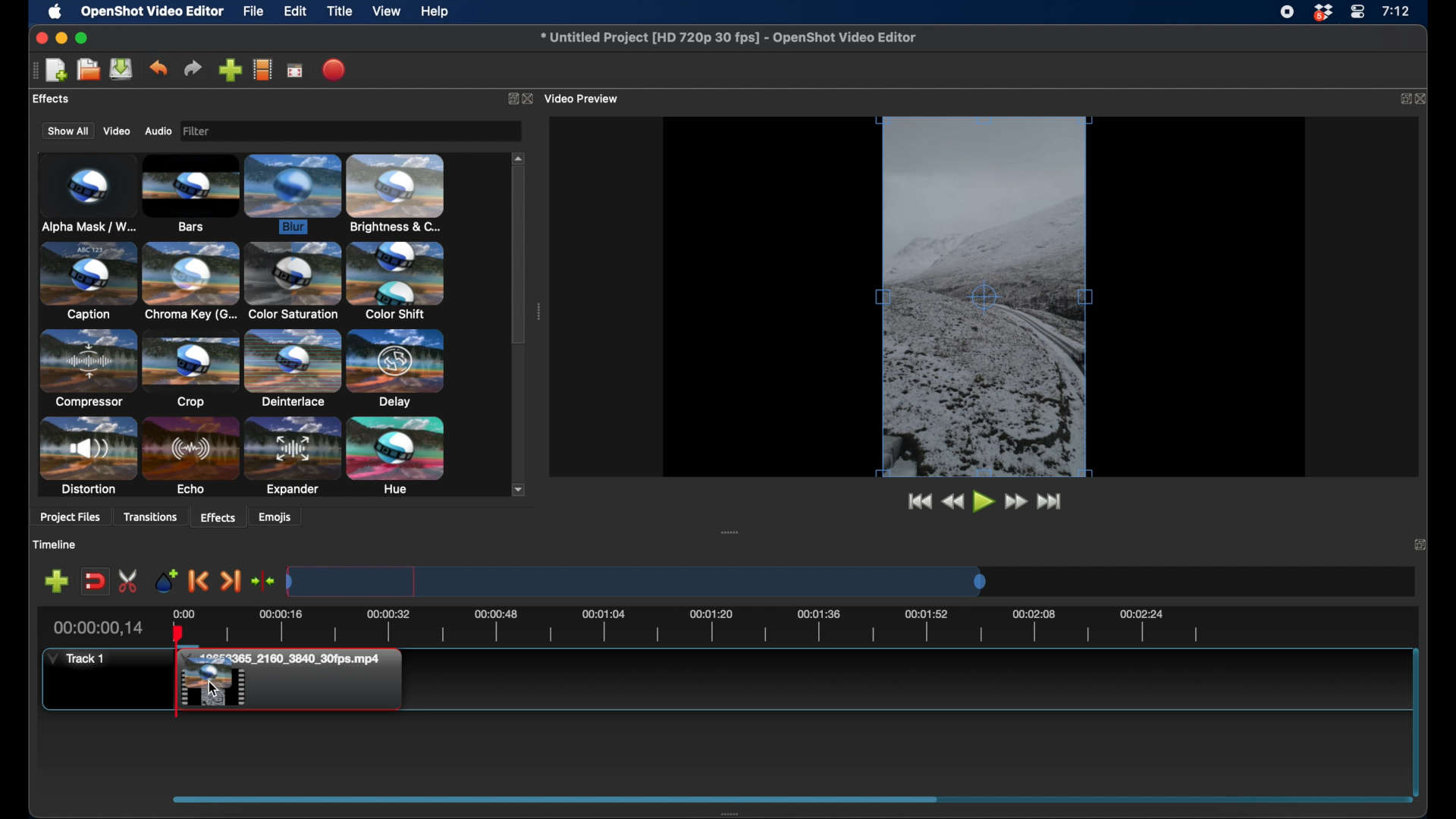 The height and width of the screenshot is (819, 1456). I want to click on minimize, so click(61, 39).